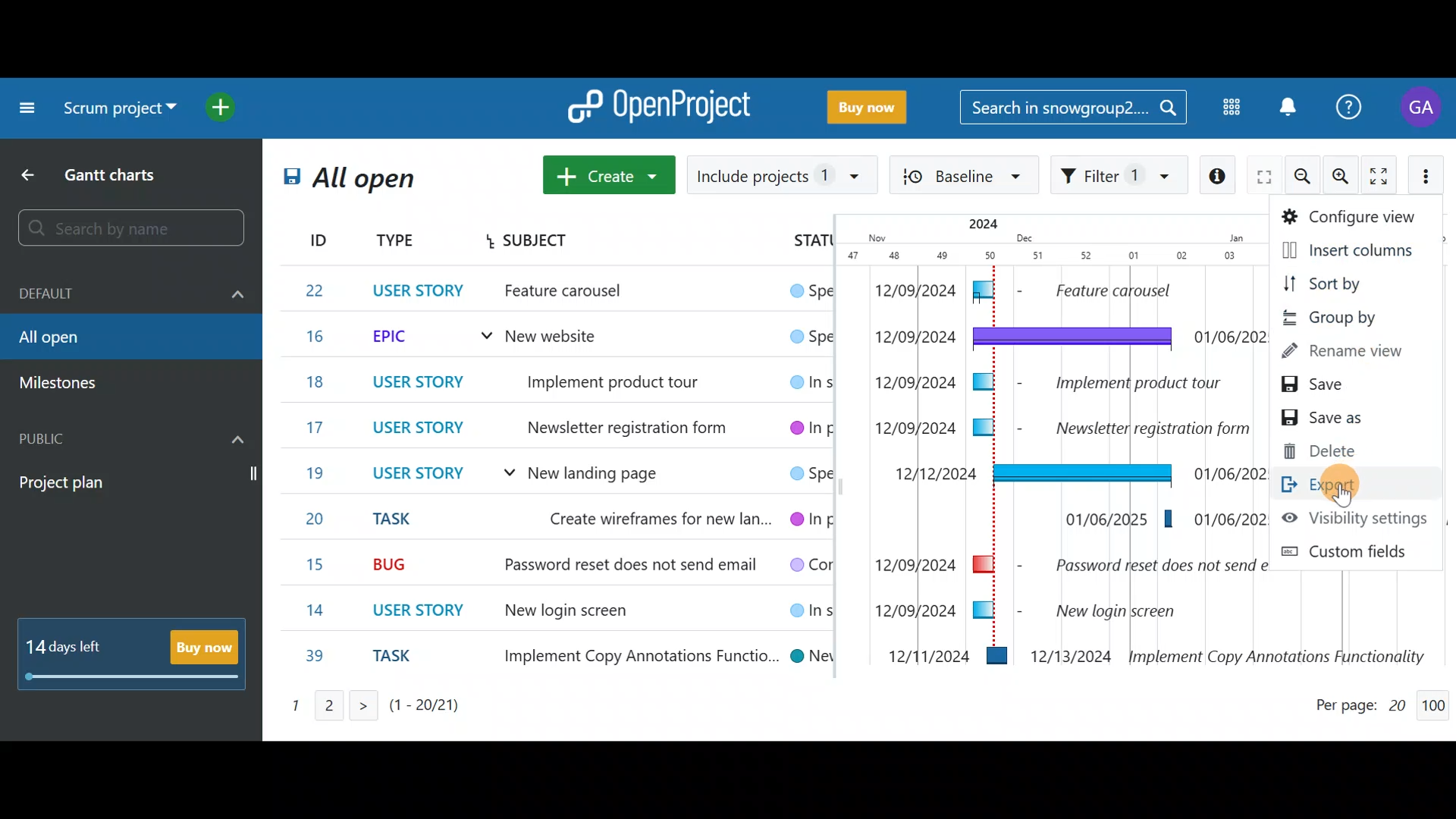  Describe the element at coordinates (319, 337) in the screenshot. I see `16` at that location.